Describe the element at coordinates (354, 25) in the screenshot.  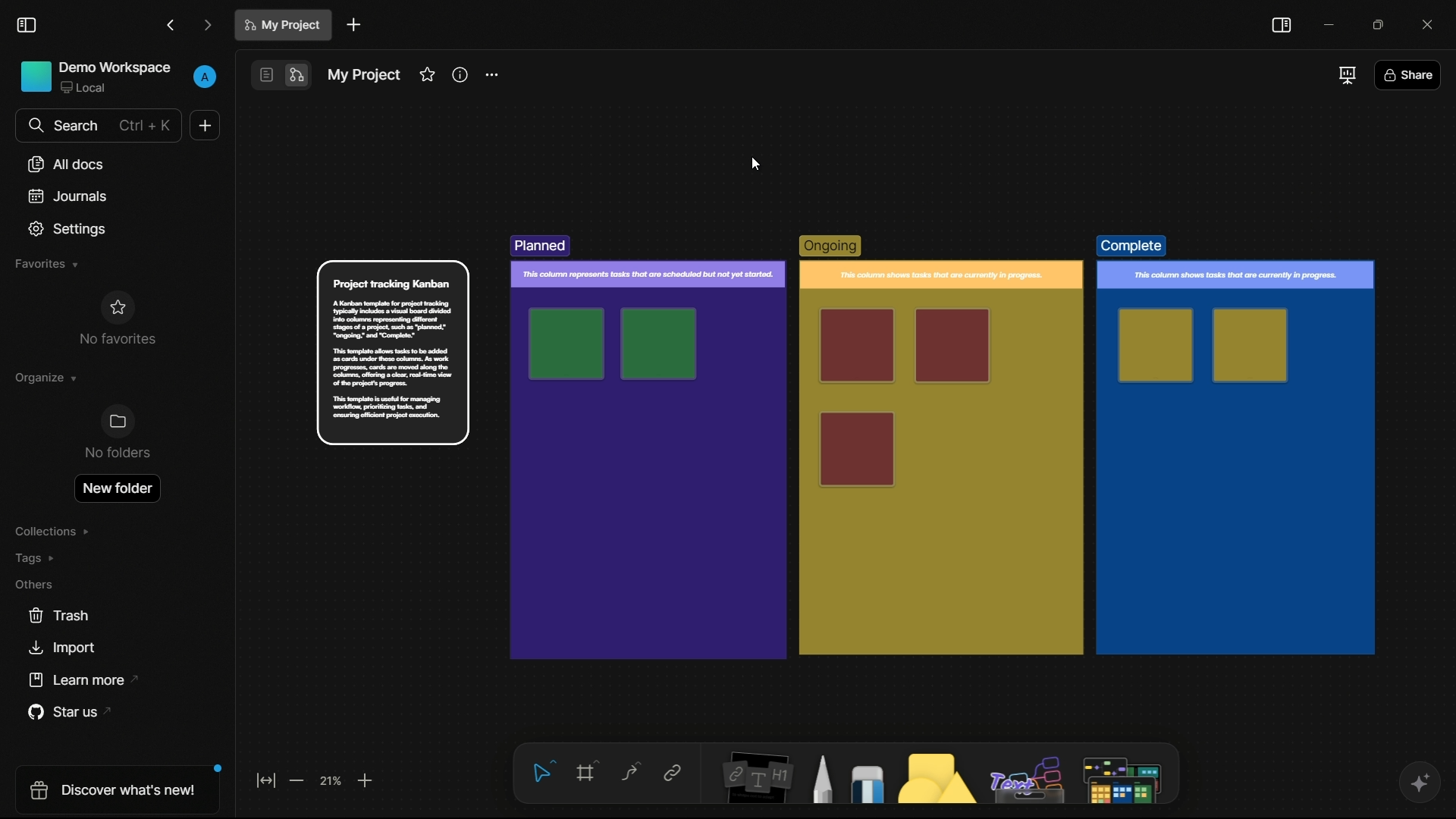
I see `new document` at that location.